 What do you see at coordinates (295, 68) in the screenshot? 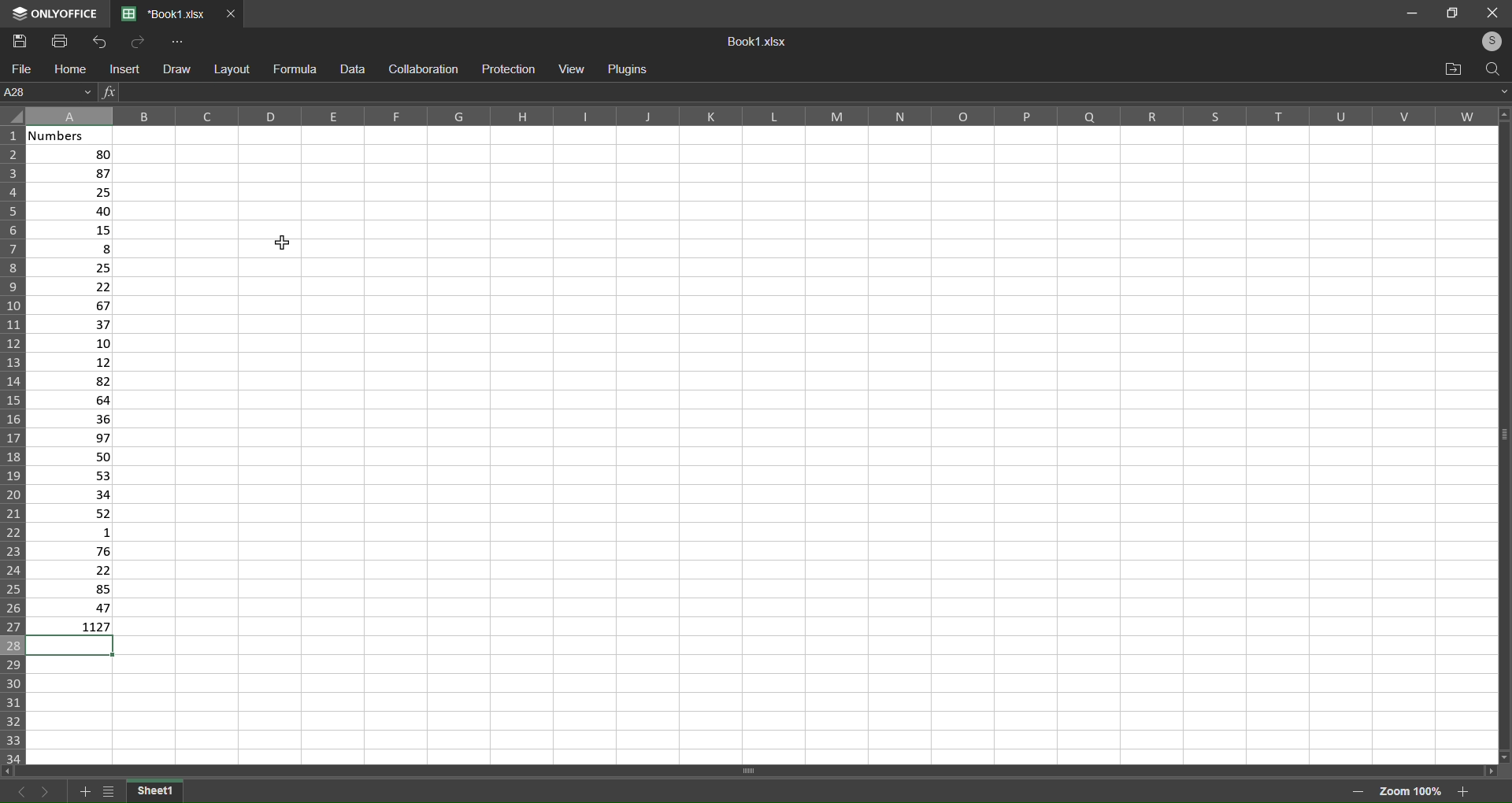
I see `formula` at bounding box center [295, 68].